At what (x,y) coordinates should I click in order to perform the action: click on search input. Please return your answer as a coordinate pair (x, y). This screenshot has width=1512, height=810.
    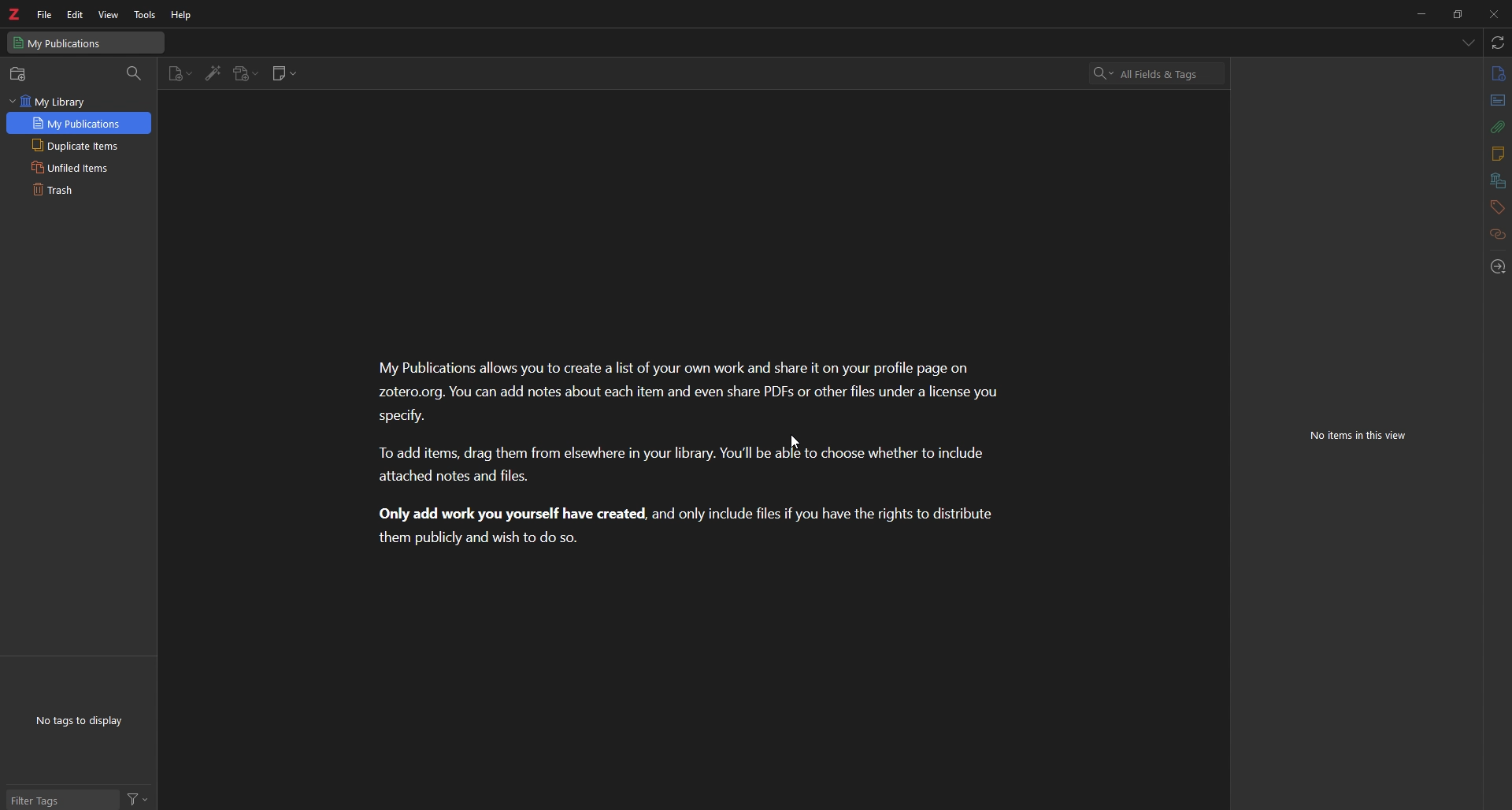
    Looking at the image, I should click on (1166, 74).